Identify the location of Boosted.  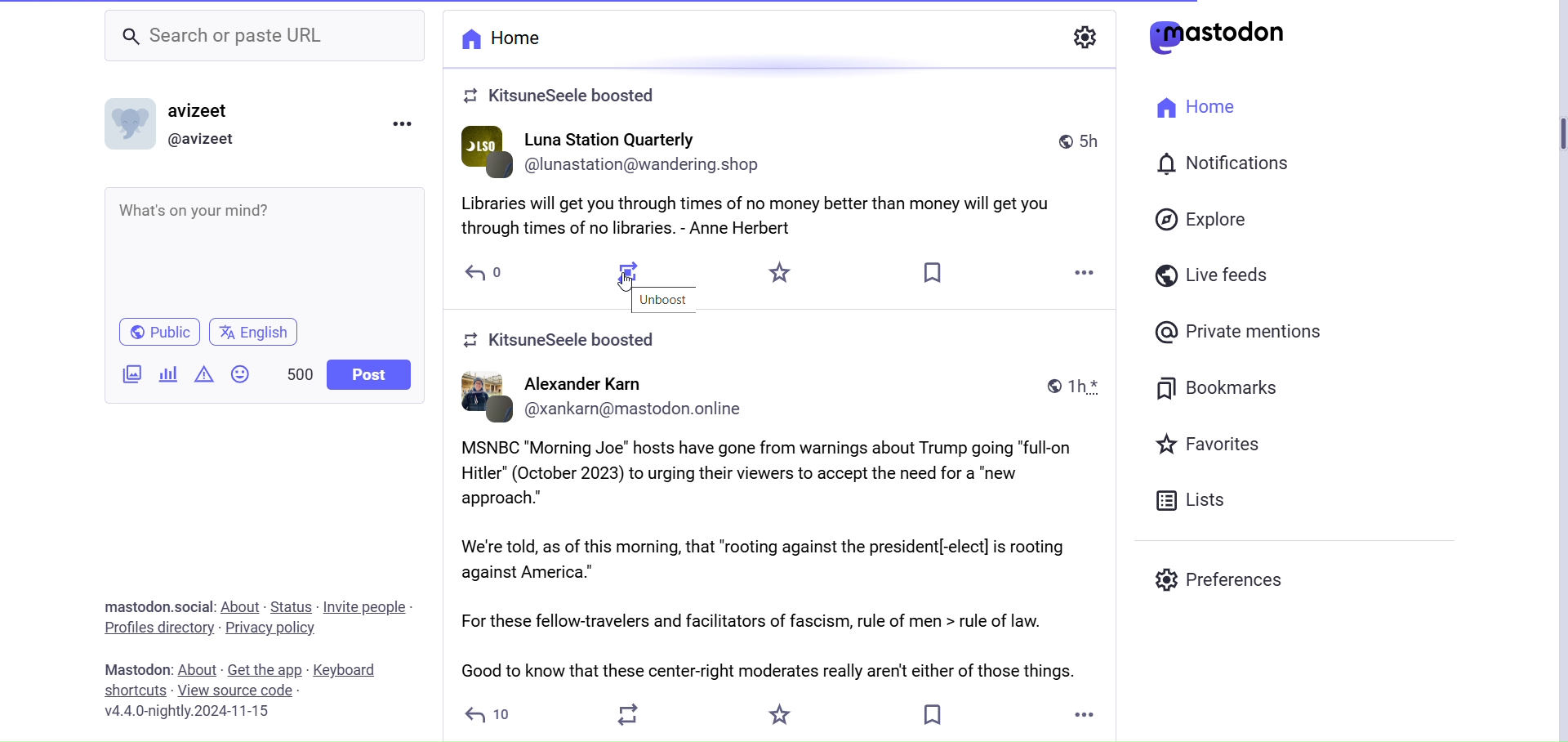
(574, 343).